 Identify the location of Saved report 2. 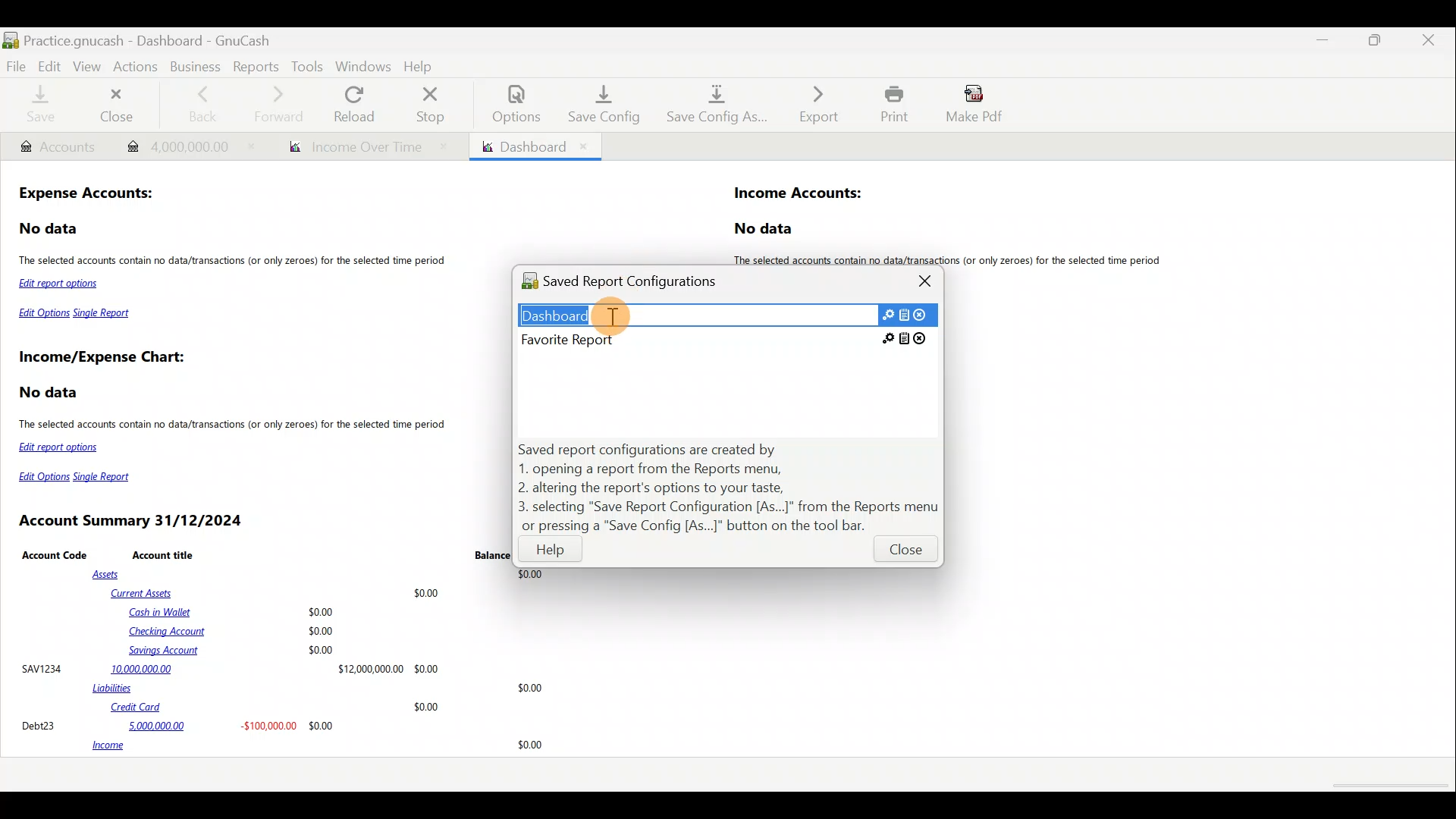
(725, 339).